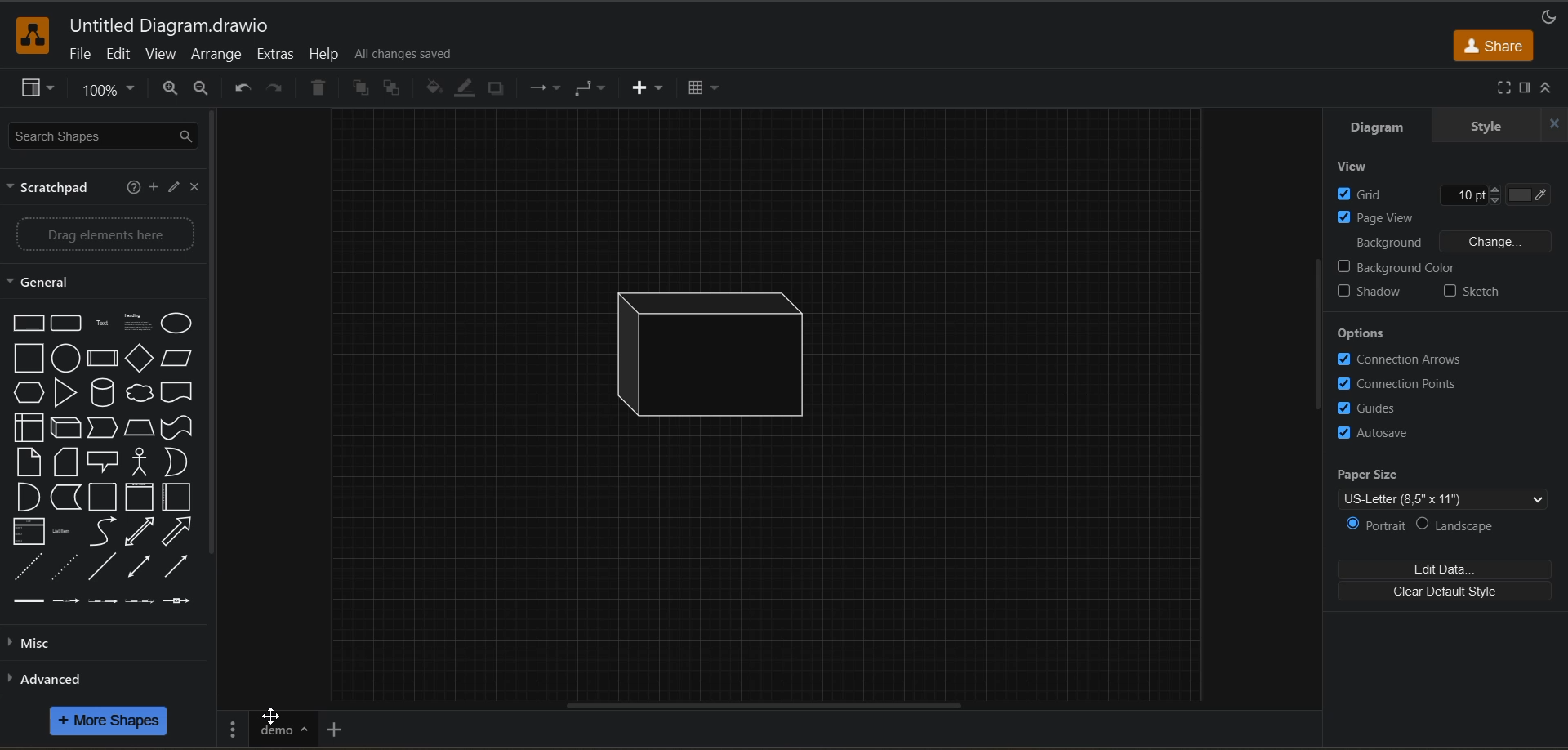 This screenshot has height=750, width=1568. What do you see at coordinates (1474, 294) in the screenshot?
I see `sketch` at bounding box center [1474, 294].